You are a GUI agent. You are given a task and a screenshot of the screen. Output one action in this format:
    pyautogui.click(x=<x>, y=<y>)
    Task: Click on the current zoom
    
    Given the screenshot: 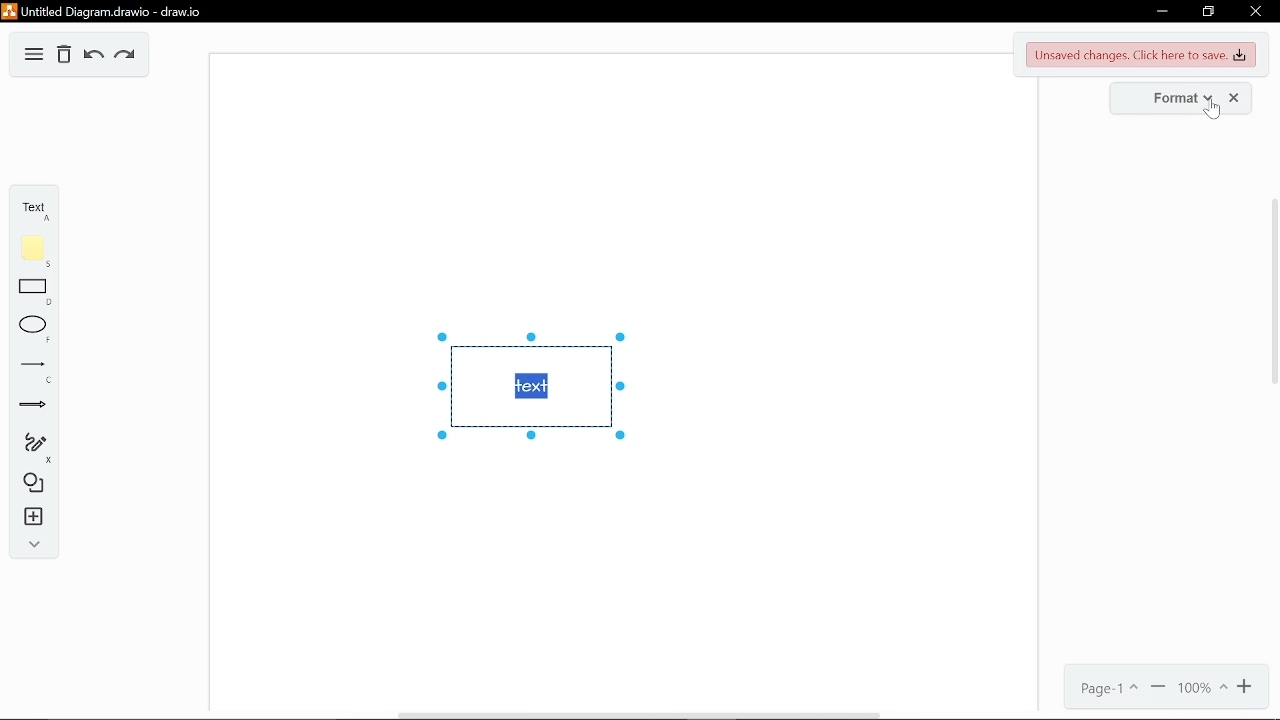 What is the action you would take?
    pyautogui.click(x=1202, y=689)
    